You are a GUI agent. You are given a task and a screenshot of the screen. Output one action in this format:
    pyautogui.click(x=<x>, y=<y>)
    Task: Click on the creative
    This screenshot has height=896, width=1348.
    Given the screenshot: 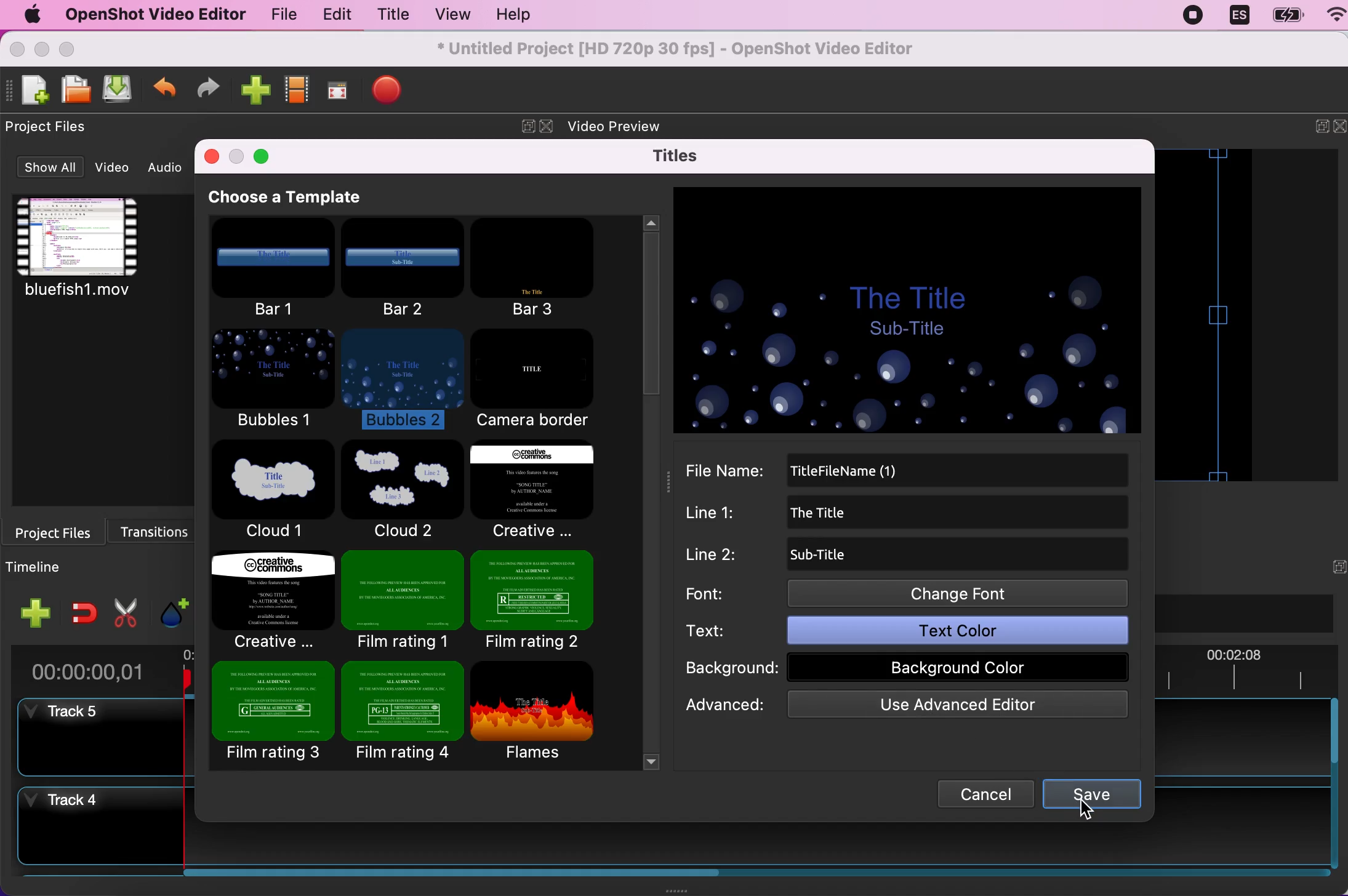 What is the action you would take?
    pyautogui.click(x=274, y=598)
    